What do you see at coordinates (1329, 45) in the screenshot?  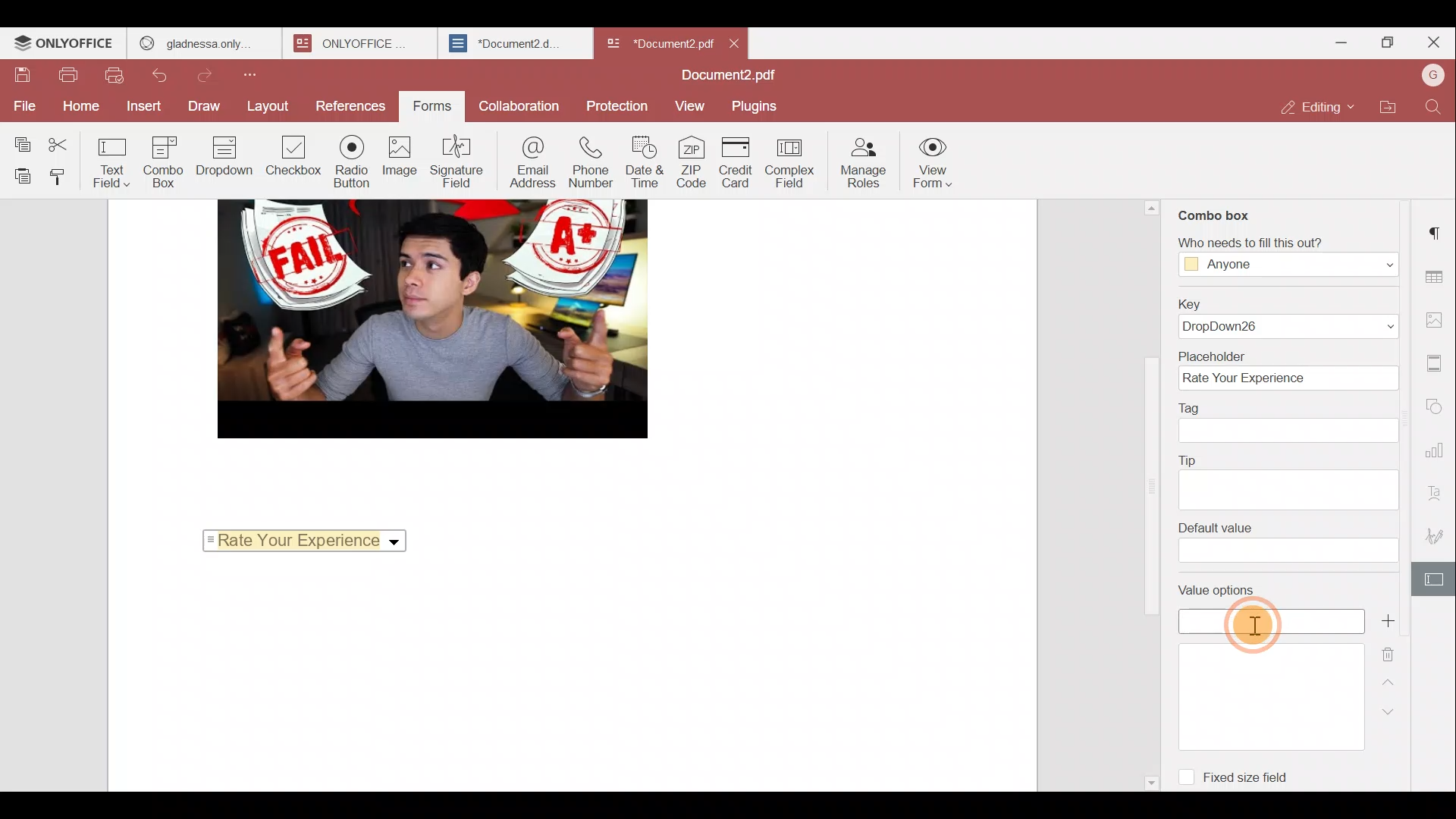 I see `Minimize` at bounding box center [1329, 45].